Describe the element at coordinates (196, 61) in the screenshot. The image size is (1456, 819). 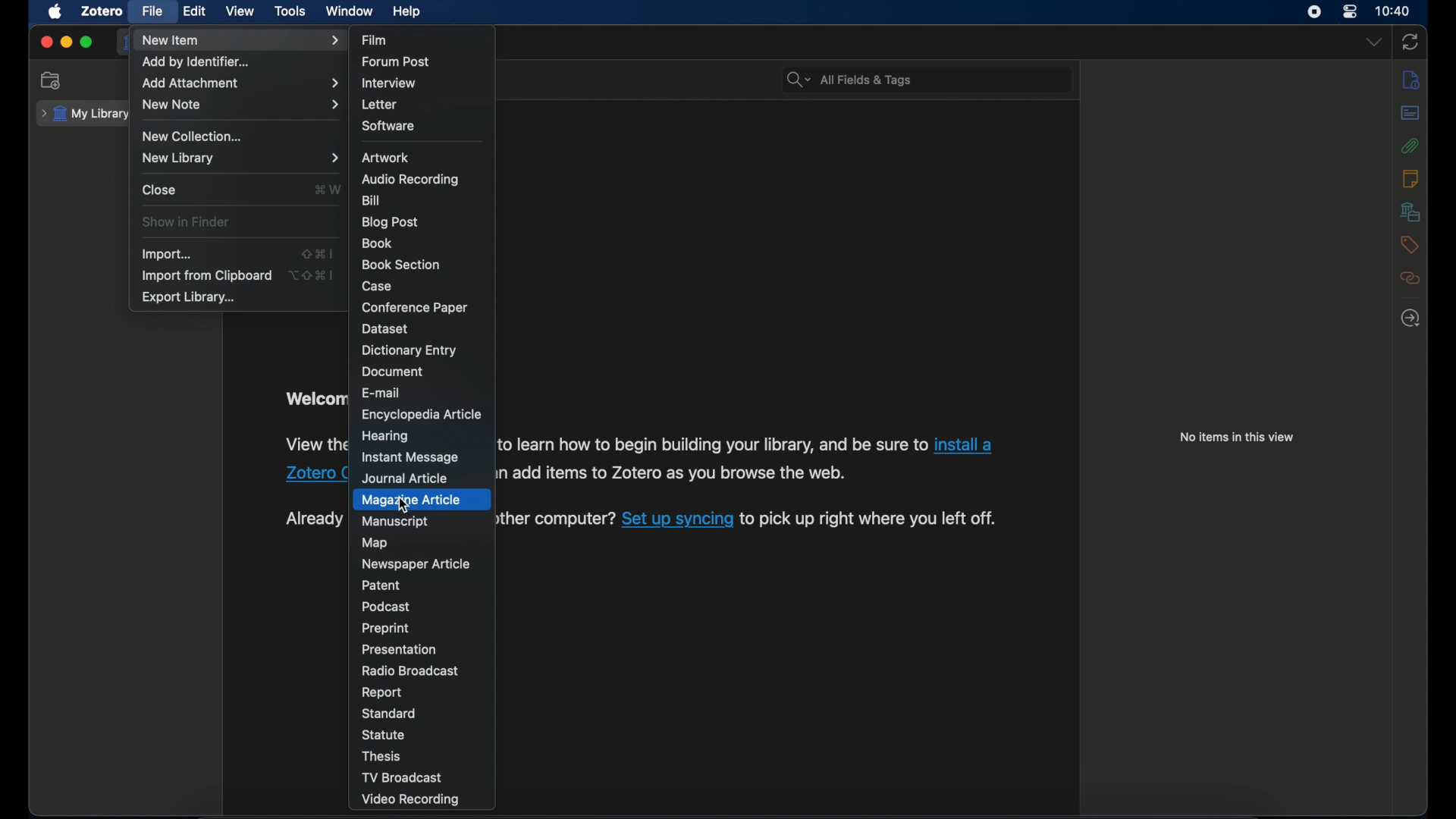
I see `add by identifier` at that location.